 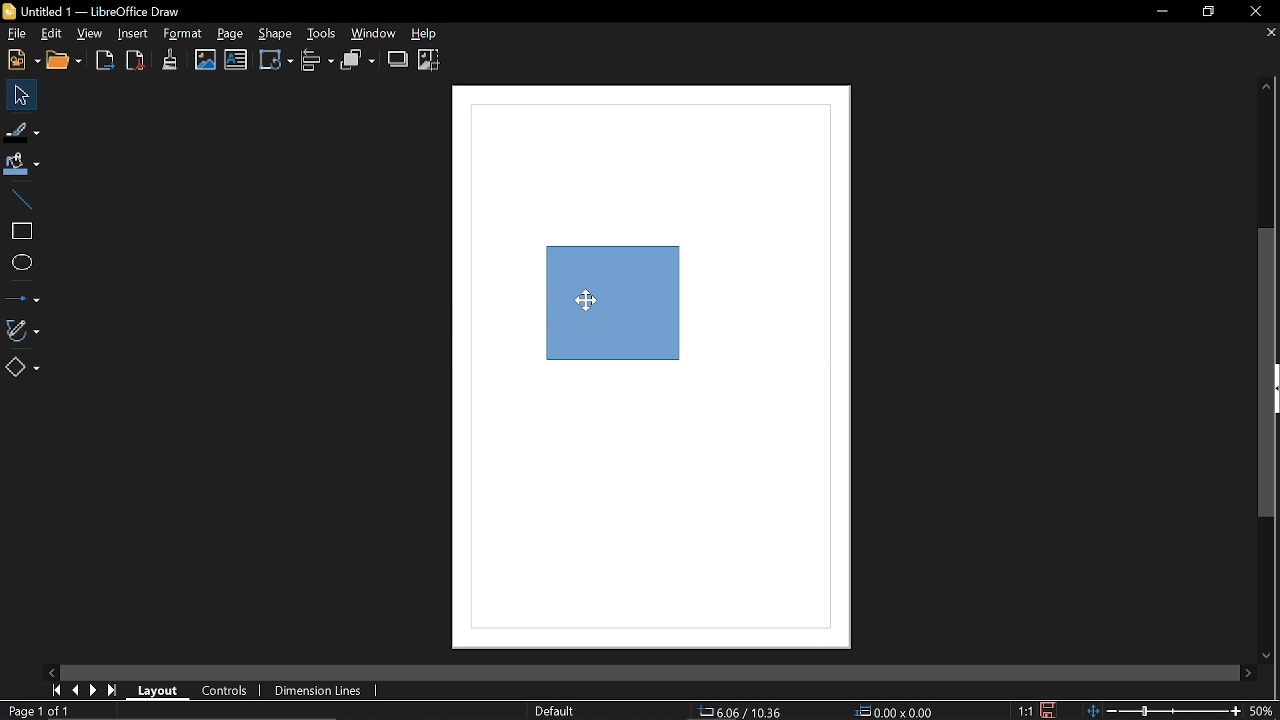 I want to click on Help, so click(x=432, y=33).